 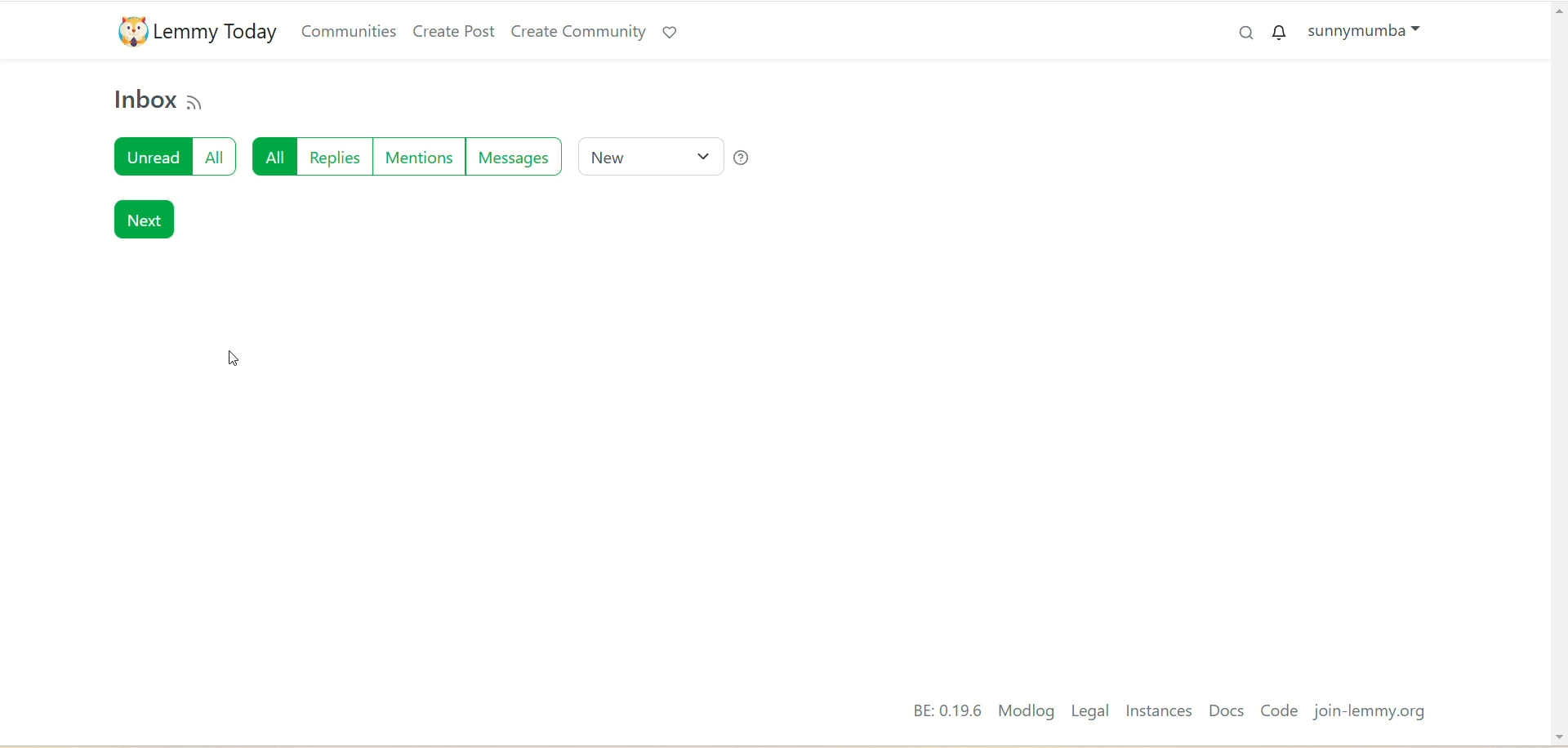 I want to click on unread all, so click(x=172, y=160).